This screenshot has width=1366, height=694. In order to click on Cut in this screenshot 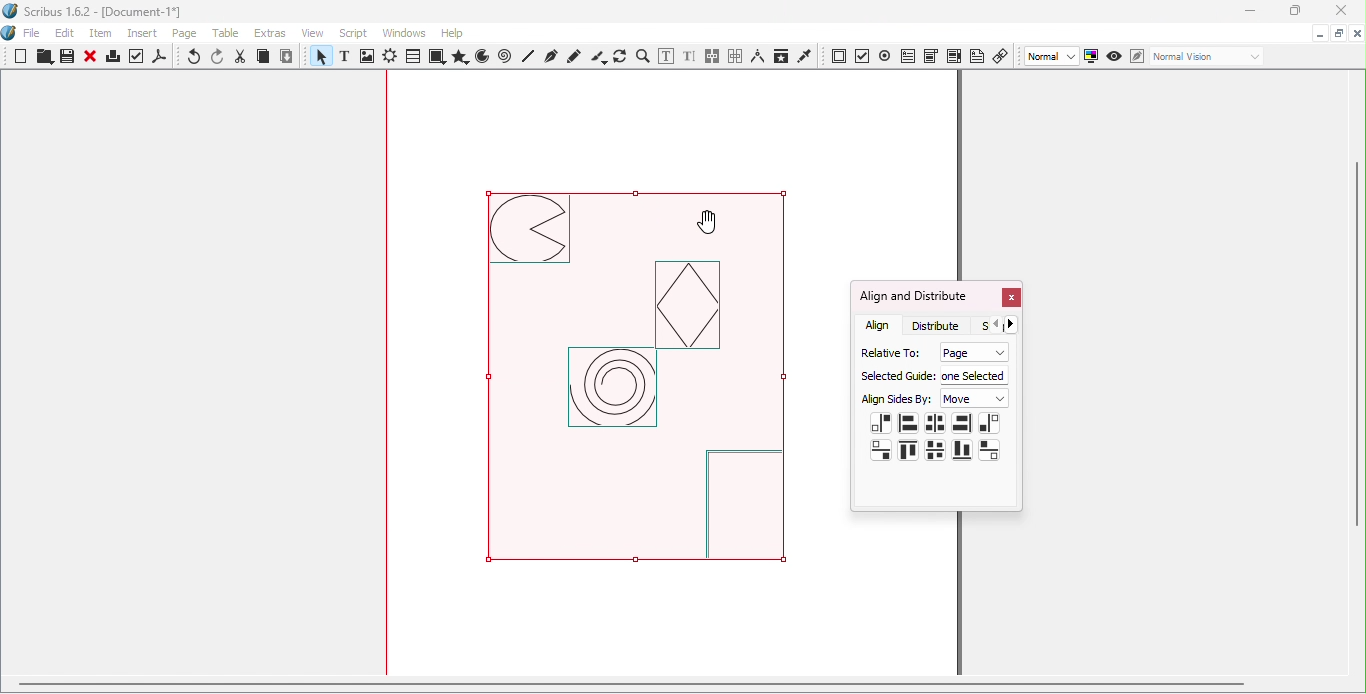, I will do `click(241, 57)`.